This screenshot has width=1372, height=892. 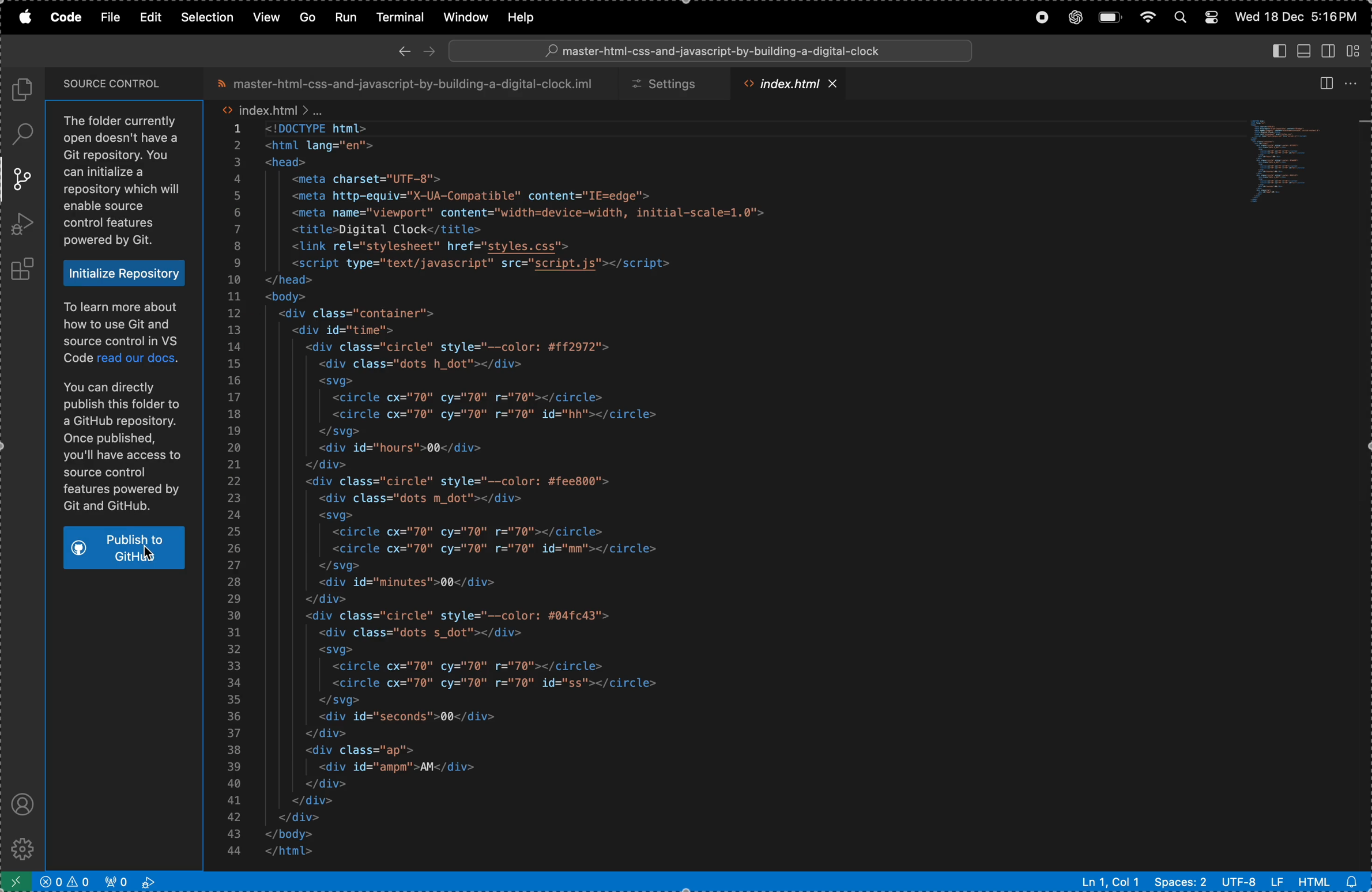 What do you see at coordinates (1182, 882) in the screenshot?
I see `spaces 2` at bounding box center [1182, 882].